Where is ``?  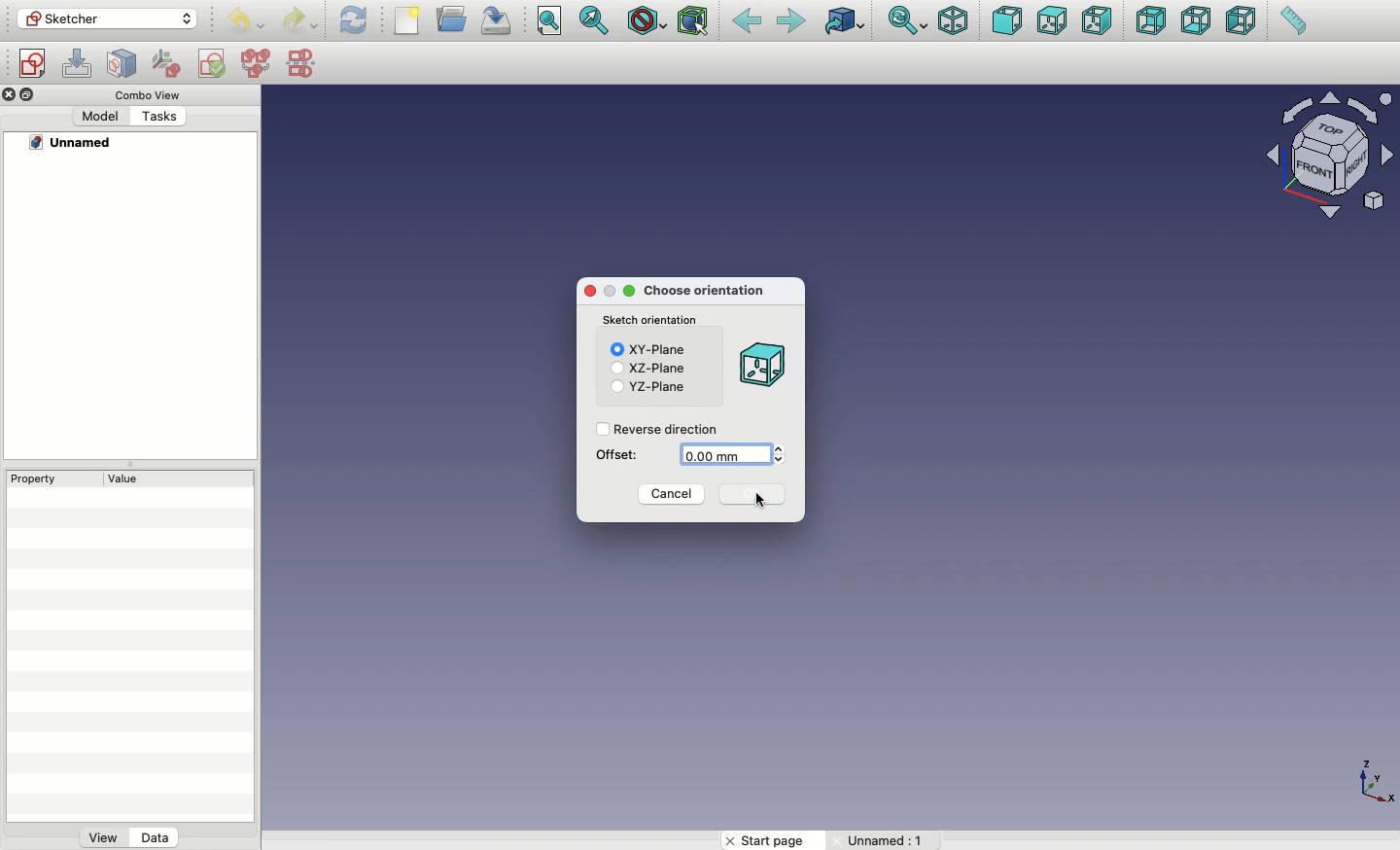
 is located at coordinates (30, 94).